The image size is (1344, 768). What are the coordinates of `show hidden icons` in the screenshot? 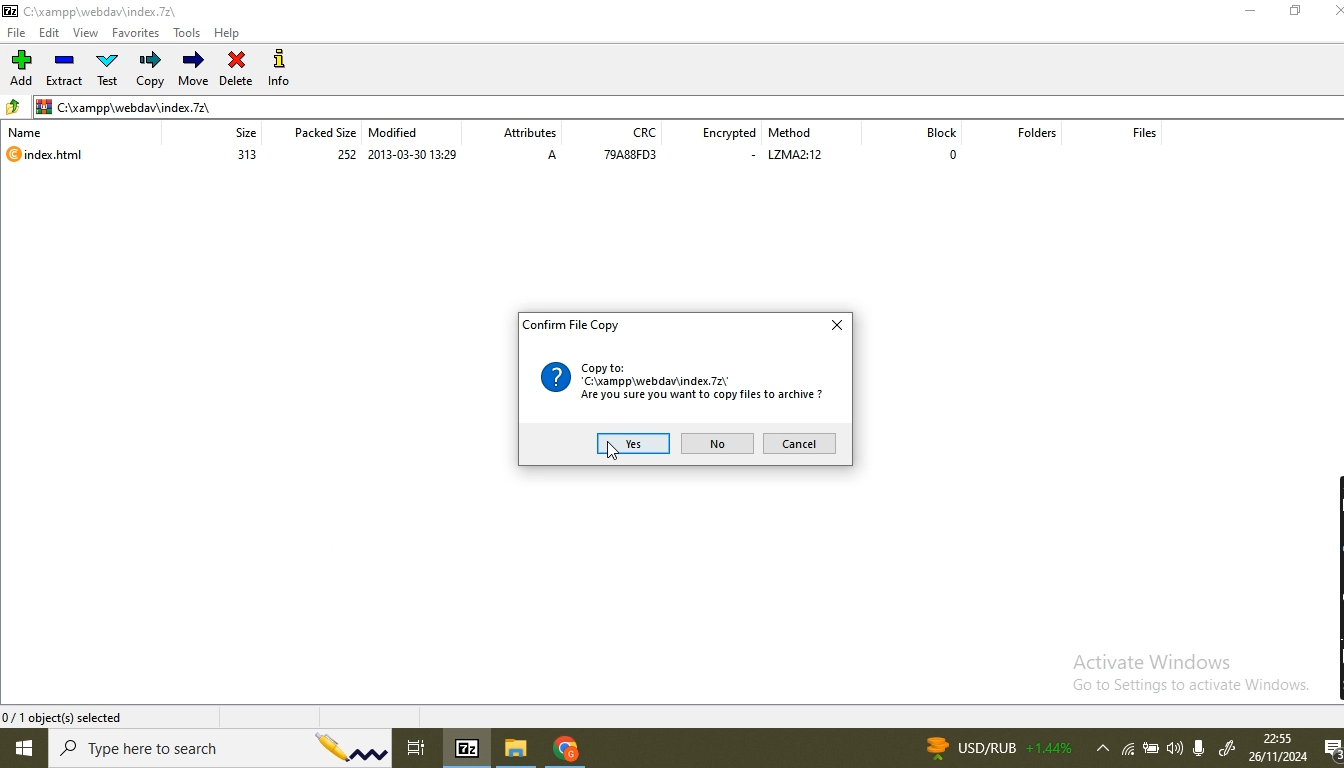 It's located at (1099, 750).